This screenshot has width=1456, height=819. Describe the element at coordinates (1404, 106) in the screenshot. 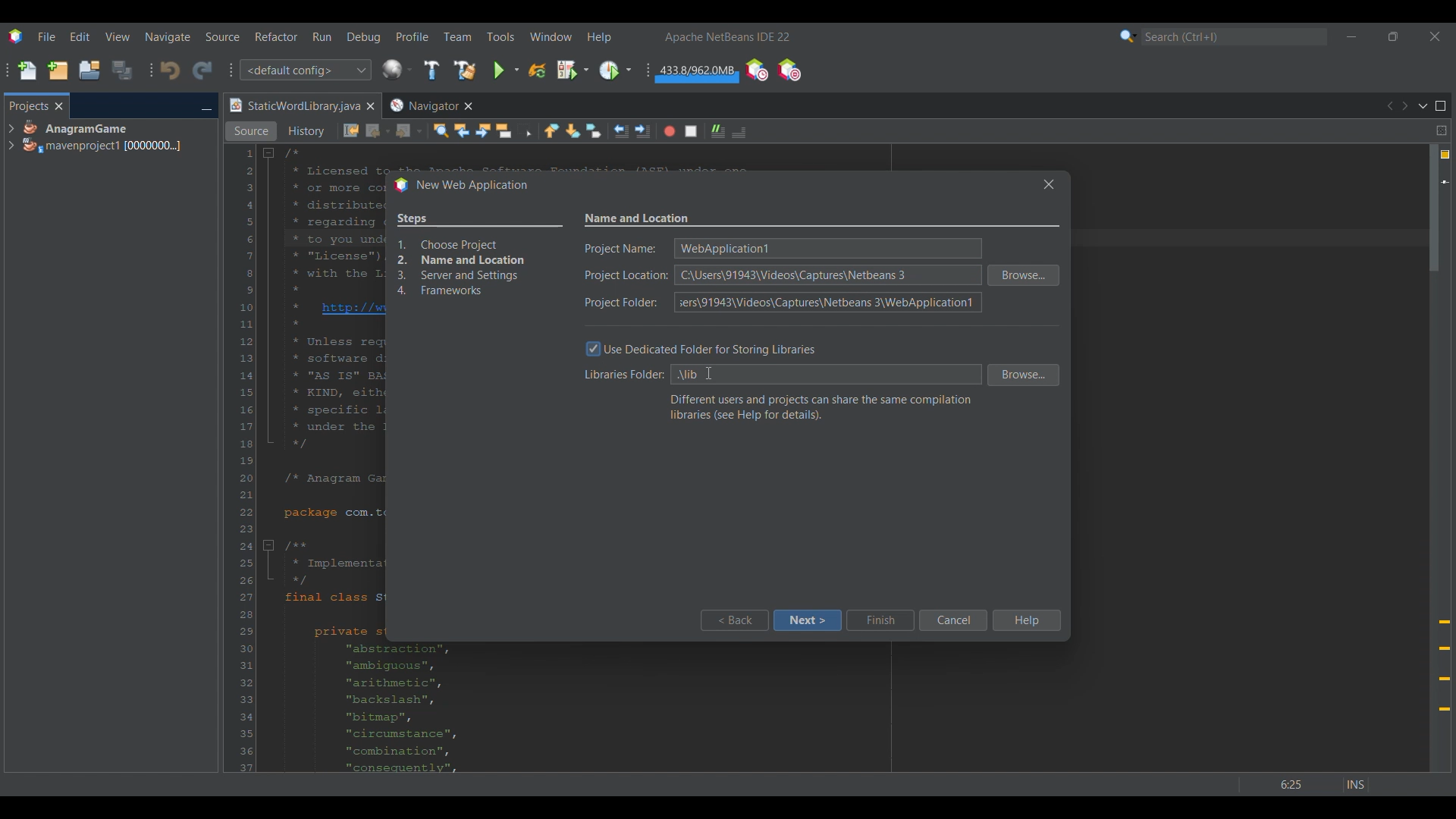

I see `Next` at that location.